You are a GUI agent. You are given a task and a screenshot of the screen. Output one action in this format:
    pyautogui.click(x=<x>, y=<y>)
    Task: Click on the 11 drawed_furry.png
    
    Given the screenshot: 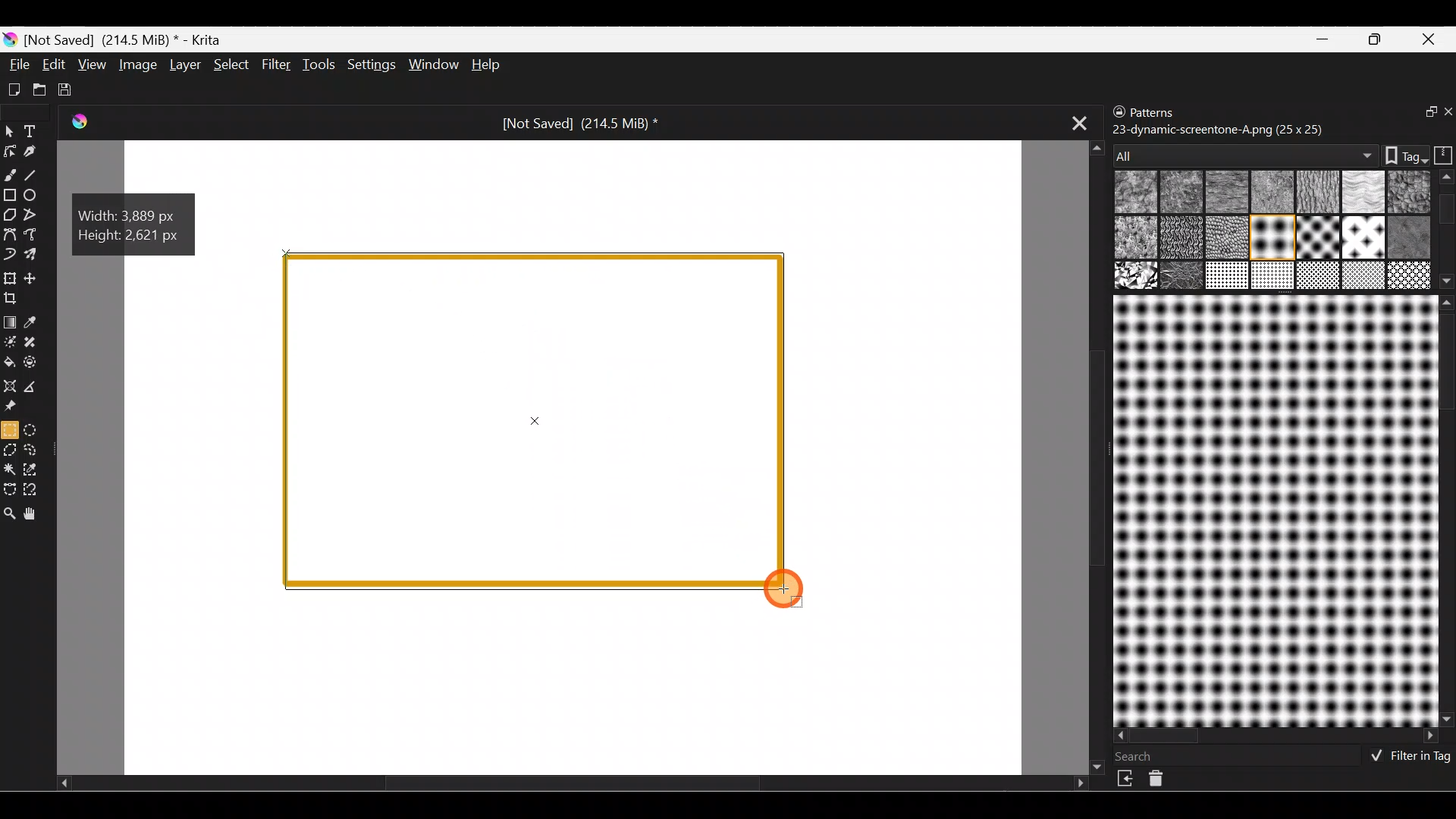 What is the action you would take?
    pyautogui.click(x=1315, y=240)
    